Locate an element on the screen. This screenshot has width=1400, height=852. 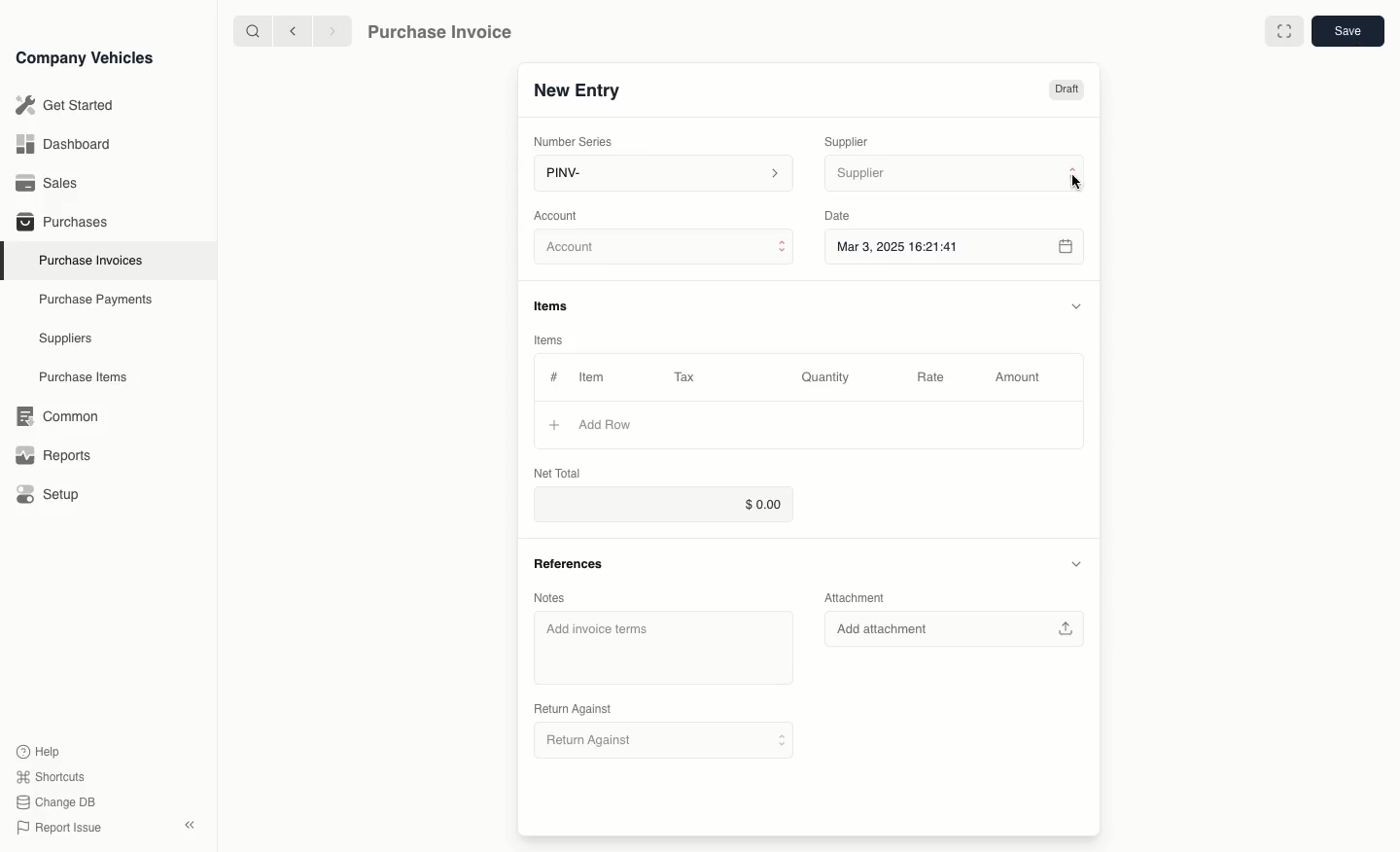
Suppliers is located at coordinates (64, 339).